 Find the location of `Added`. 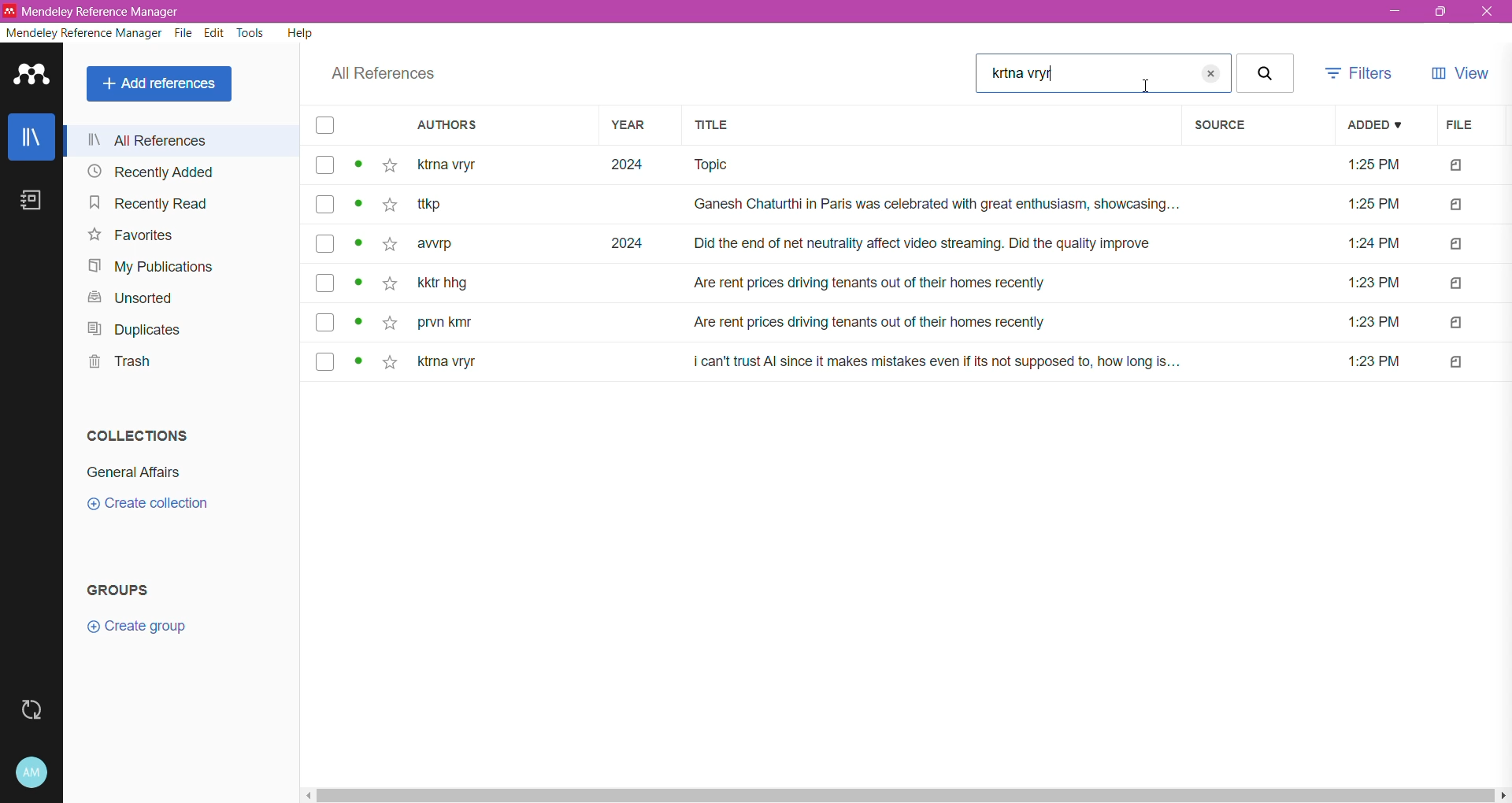

Added is located at coordinates (1375, 125).